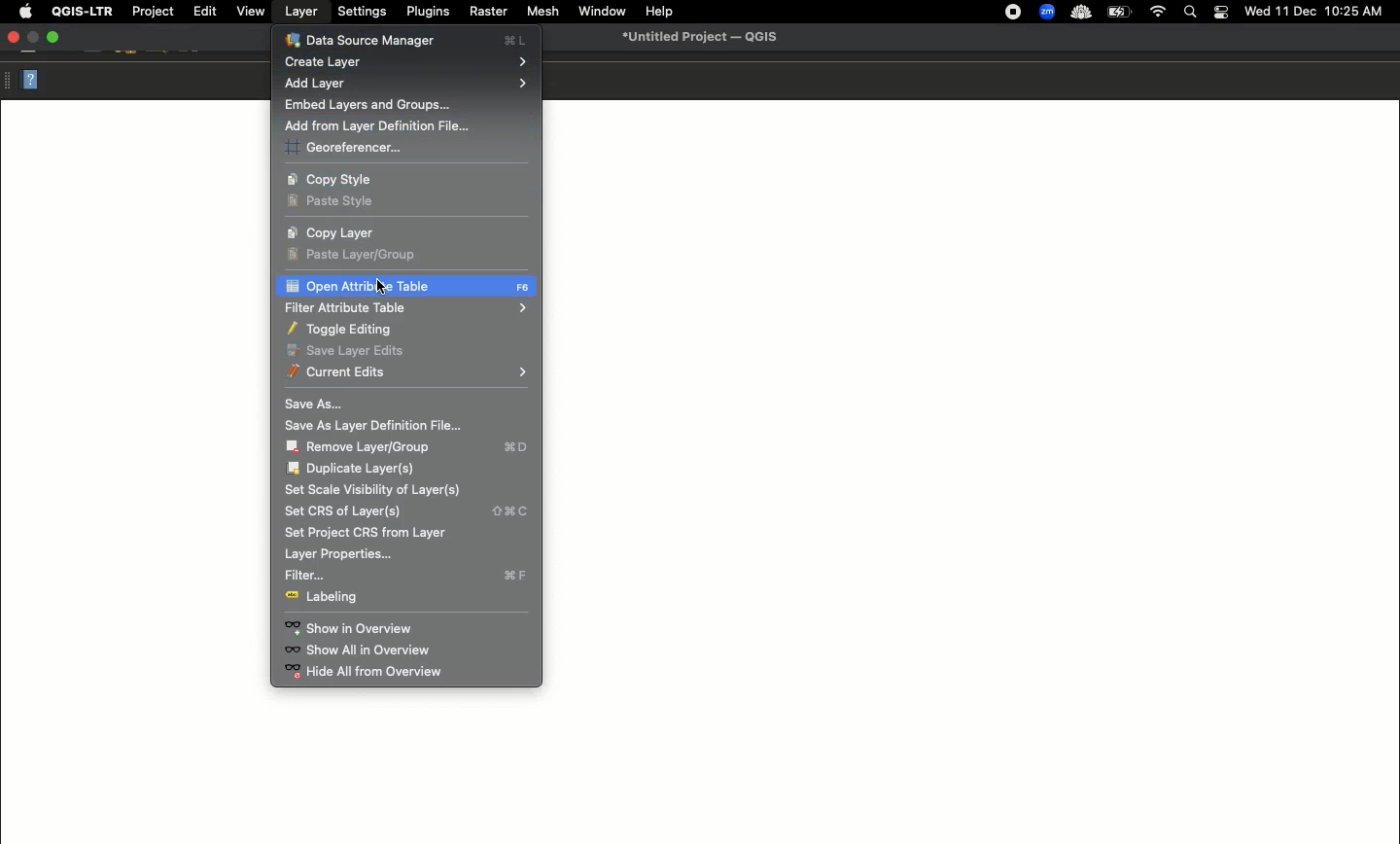  Describe the element at coordinates (1220, 11) in the screenshot. I see `Notification` at that location.